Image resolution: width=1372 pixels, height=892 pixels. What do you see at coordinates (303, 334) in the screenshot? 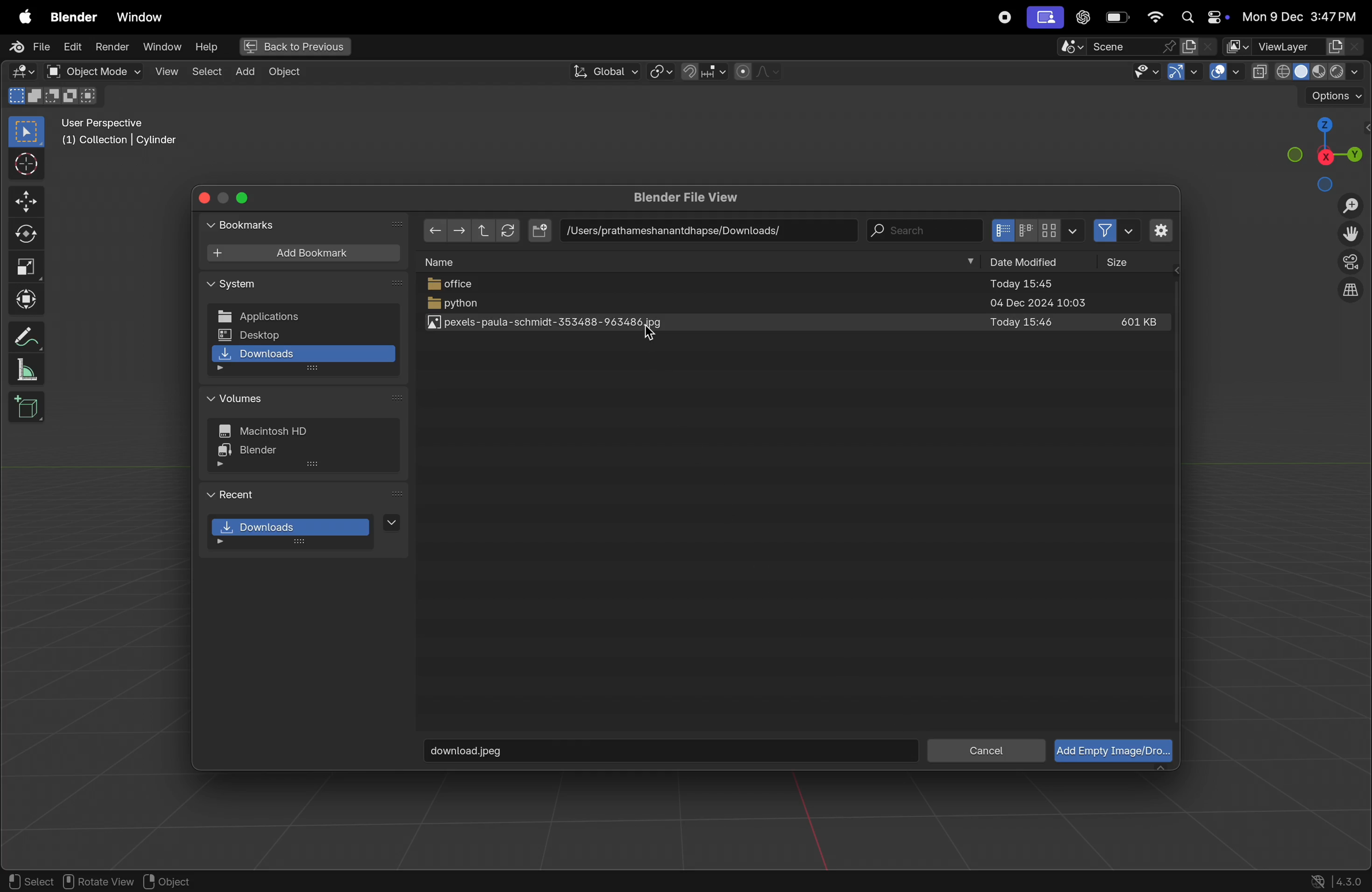
I see `desktop` at bounding box center [303, 334].